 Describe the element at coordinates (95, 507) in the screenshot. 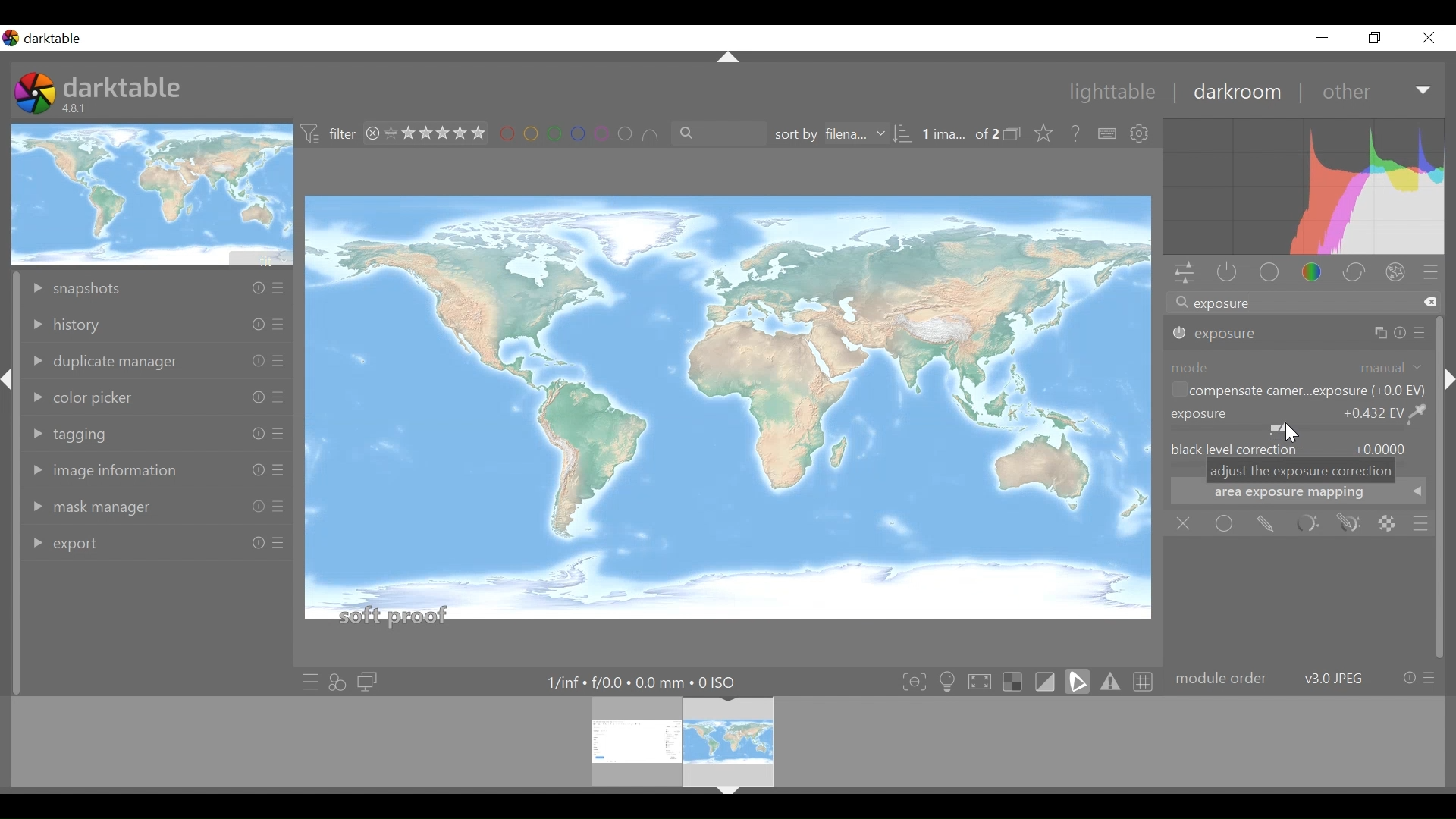

I see `mask manager` at that location.